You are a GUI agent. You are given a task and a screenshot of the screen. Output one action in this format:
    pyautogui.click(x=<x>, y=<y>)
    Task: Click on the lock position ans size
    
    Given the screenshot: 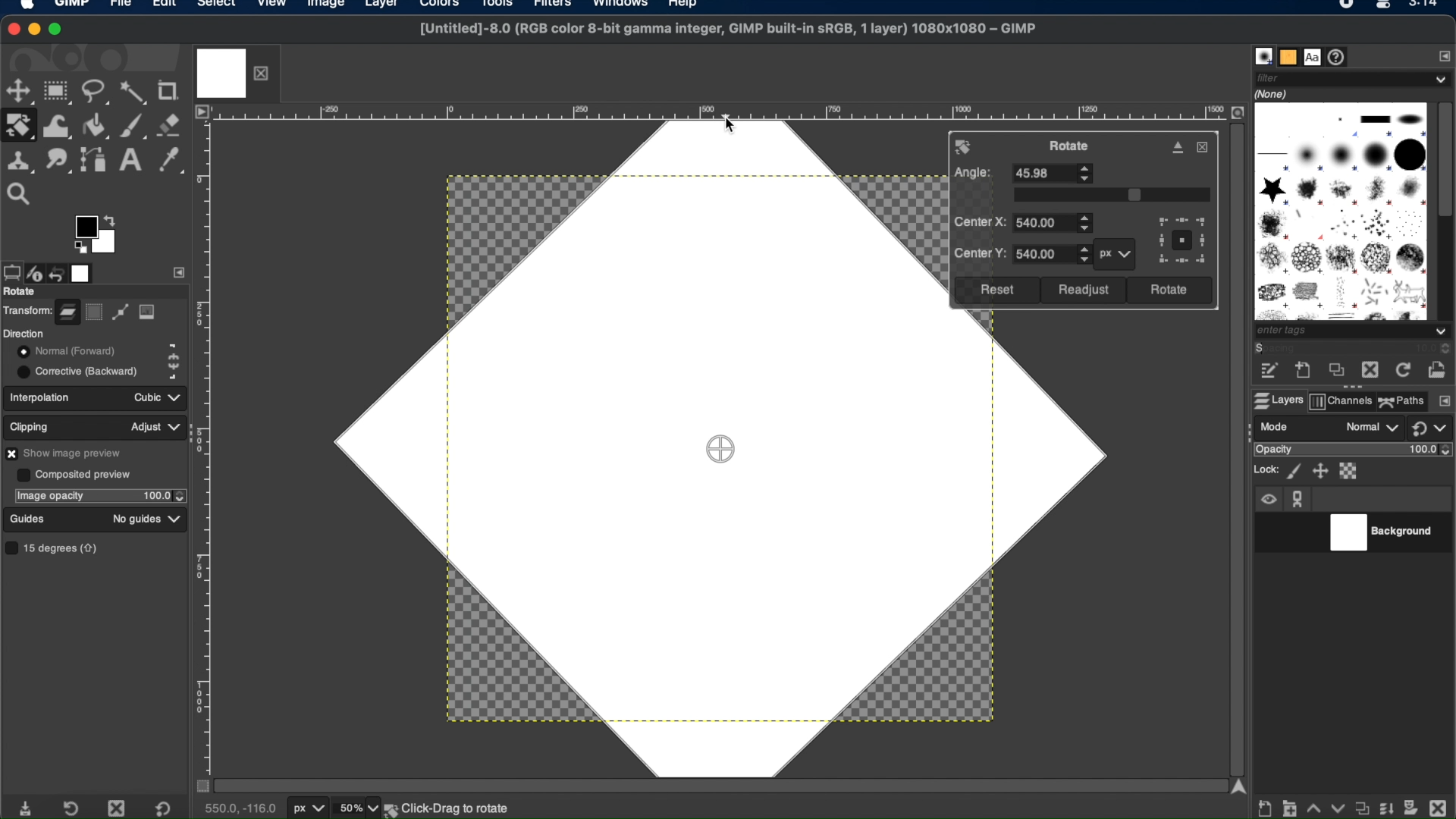 What is the action you would take?
    pyautogui.click(x=1319, y=471)
    